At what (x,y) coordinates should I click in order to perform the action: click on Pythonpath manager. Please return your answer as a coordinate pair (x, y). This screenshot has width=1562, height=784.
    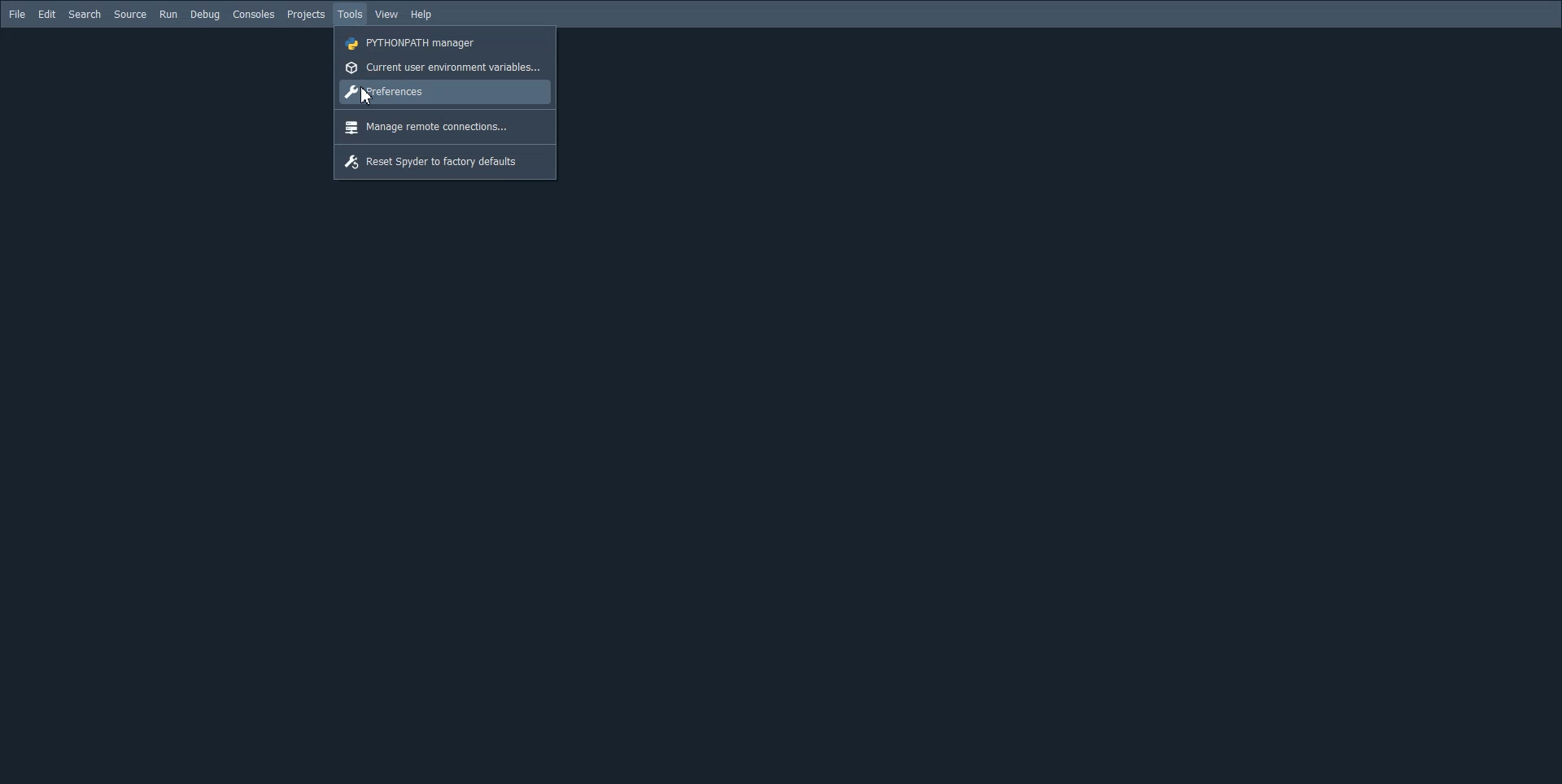
    Looking at the image, I should click on (441, 42).